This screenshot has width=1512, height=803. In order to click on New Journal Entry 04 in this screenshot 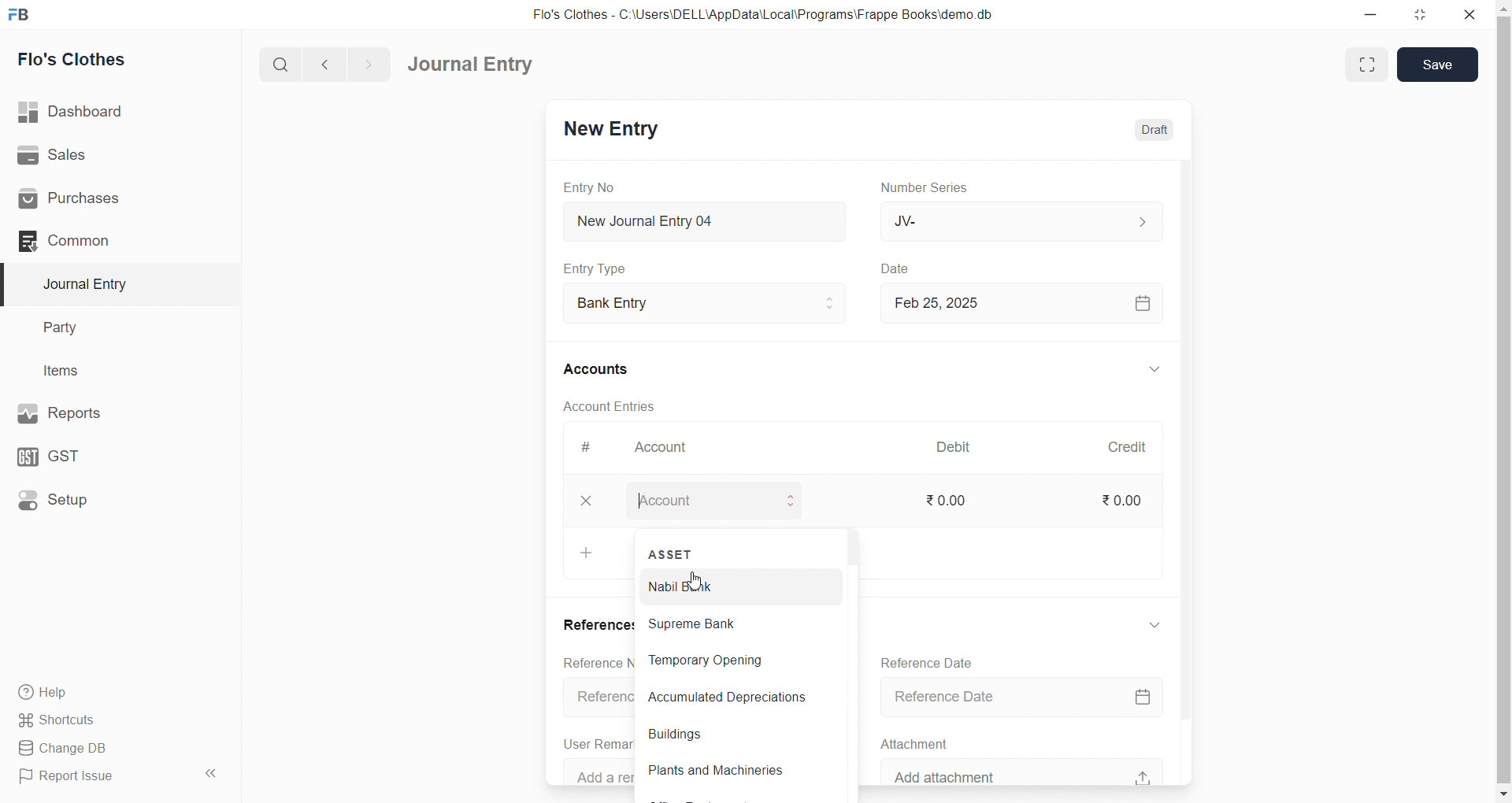, I will do `click(710, 220)`.